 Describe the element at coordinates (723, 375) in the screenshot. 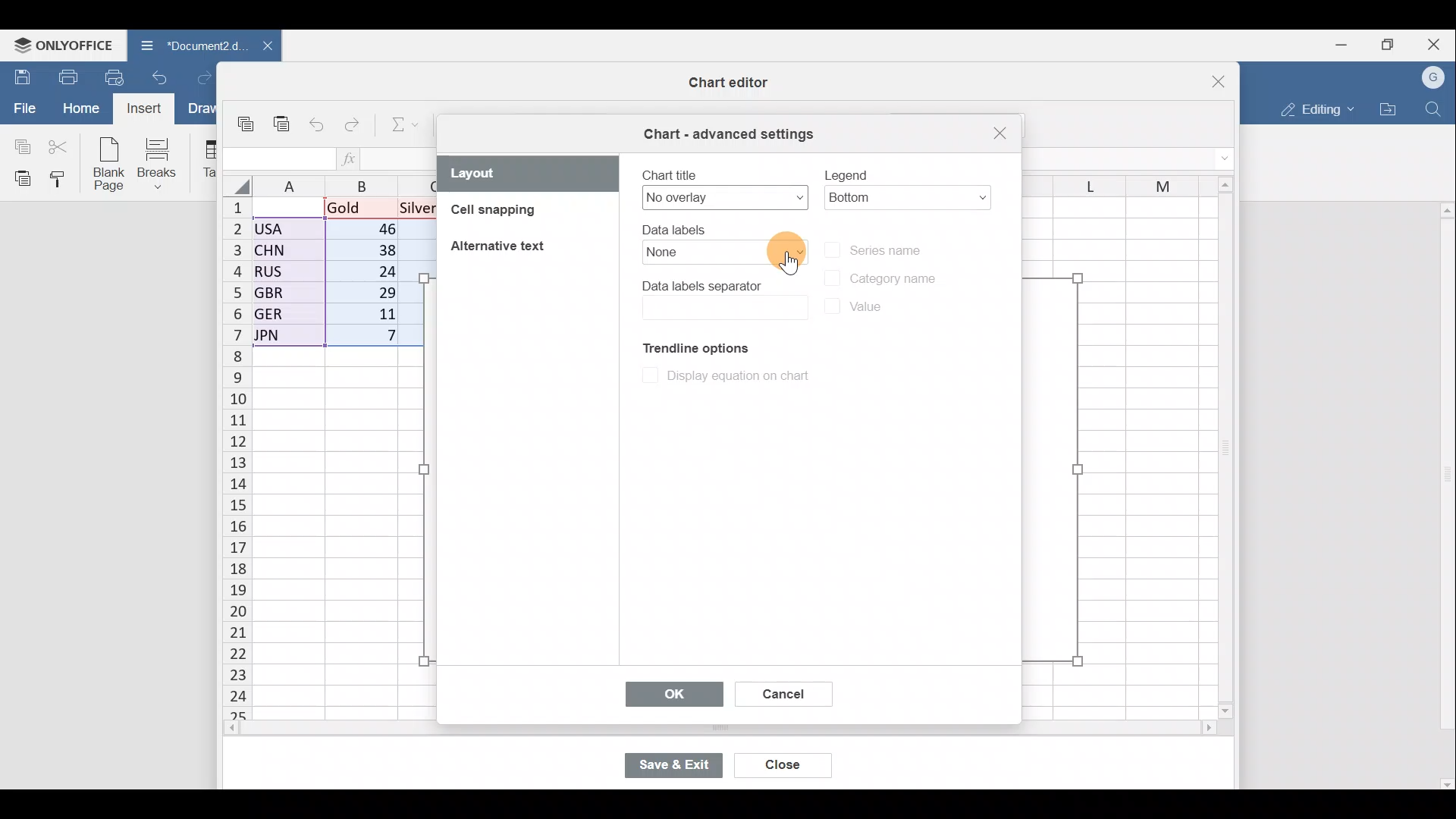

I see `Display equation on chart` at that location.